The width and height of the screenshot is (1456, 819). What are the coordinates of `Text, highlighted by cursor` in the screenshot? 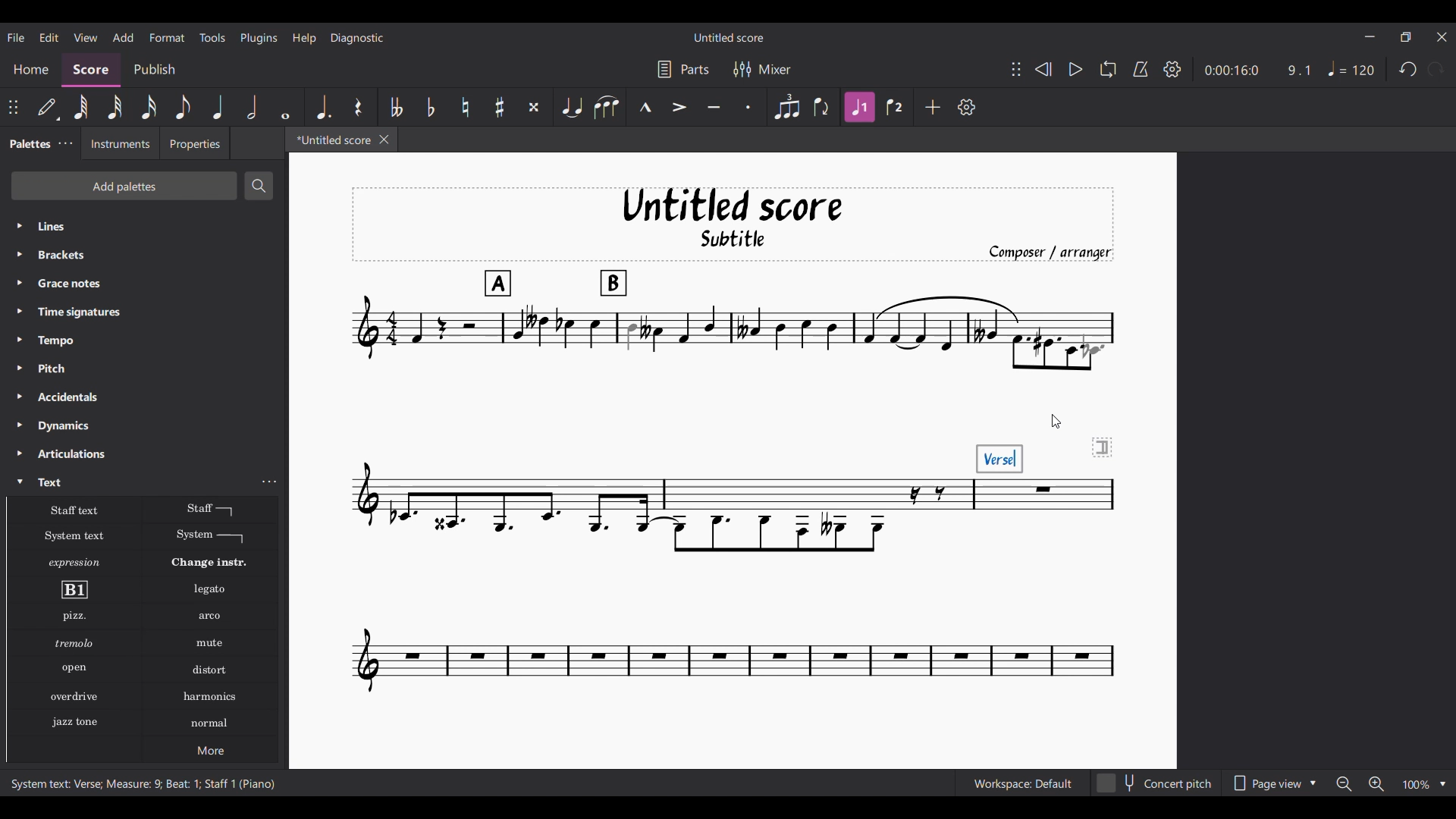 It's located at (130, 481).